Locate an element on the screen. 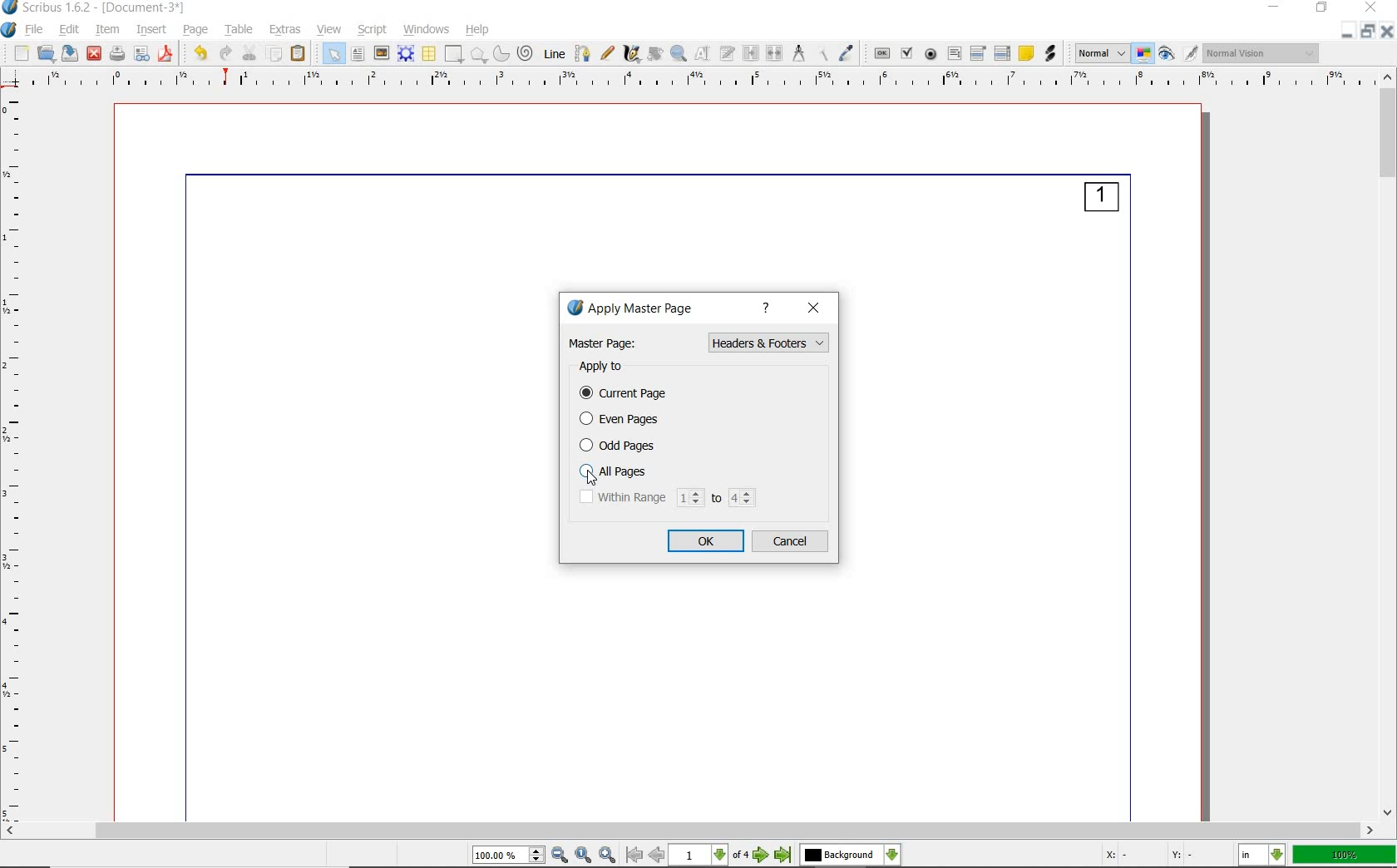  all pages is located at coordinates (621, 471).